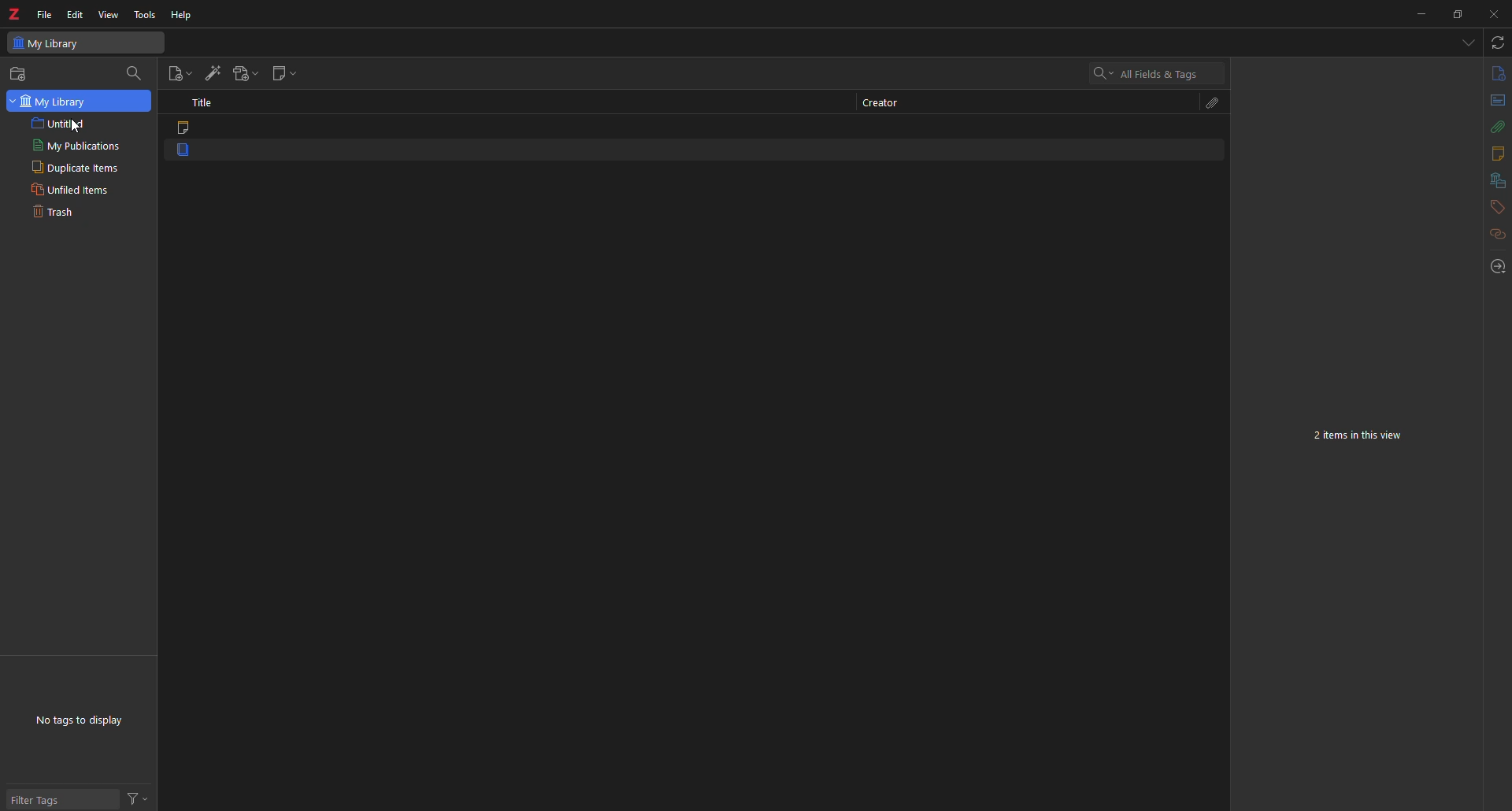  What do you see at coordinates (147, 12) in the screenshot?
I see `tools` at bounding box center [147, 12].